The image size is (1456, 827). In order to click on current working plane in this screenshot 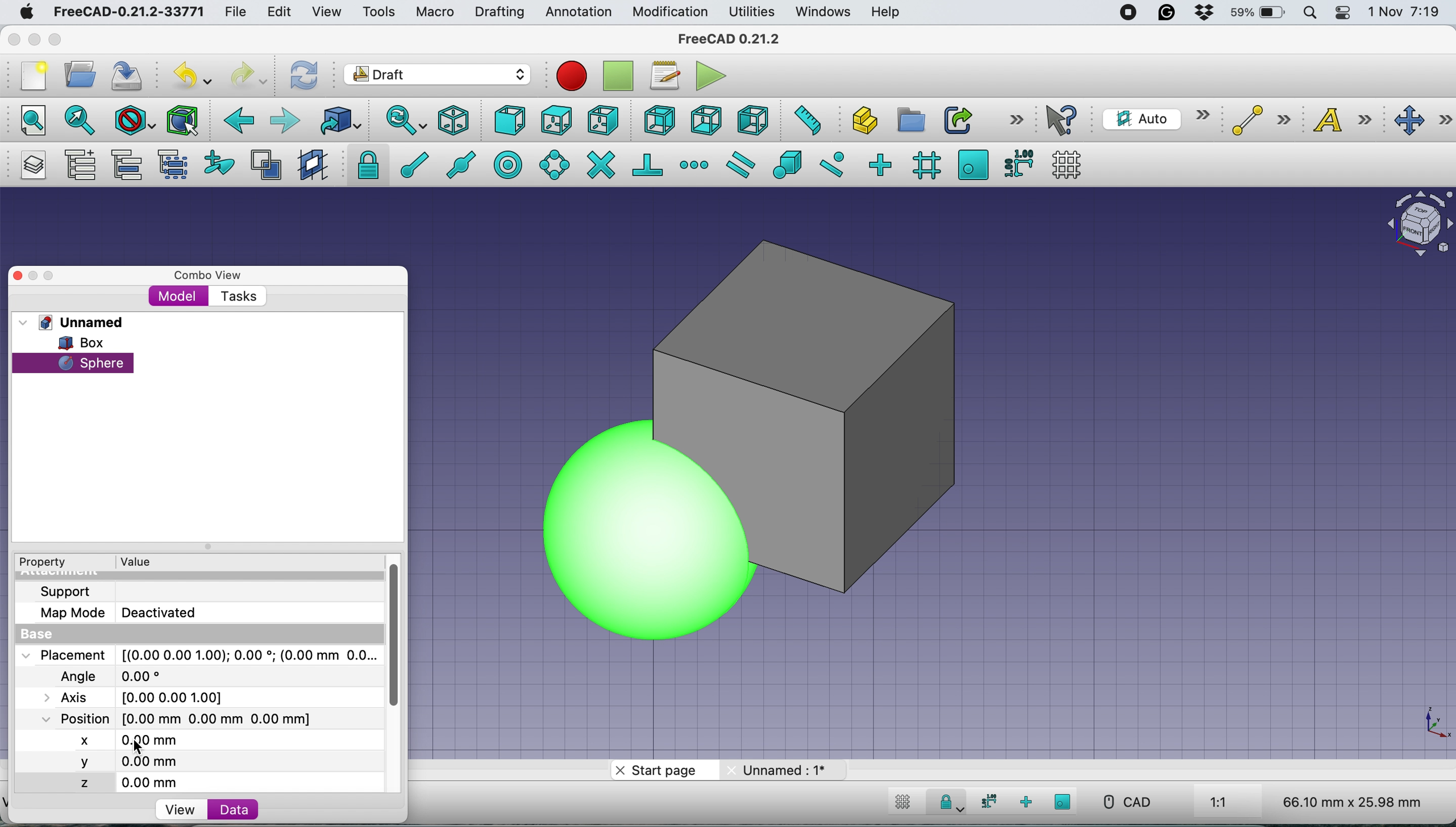, I will do `click(1153, 118)`.